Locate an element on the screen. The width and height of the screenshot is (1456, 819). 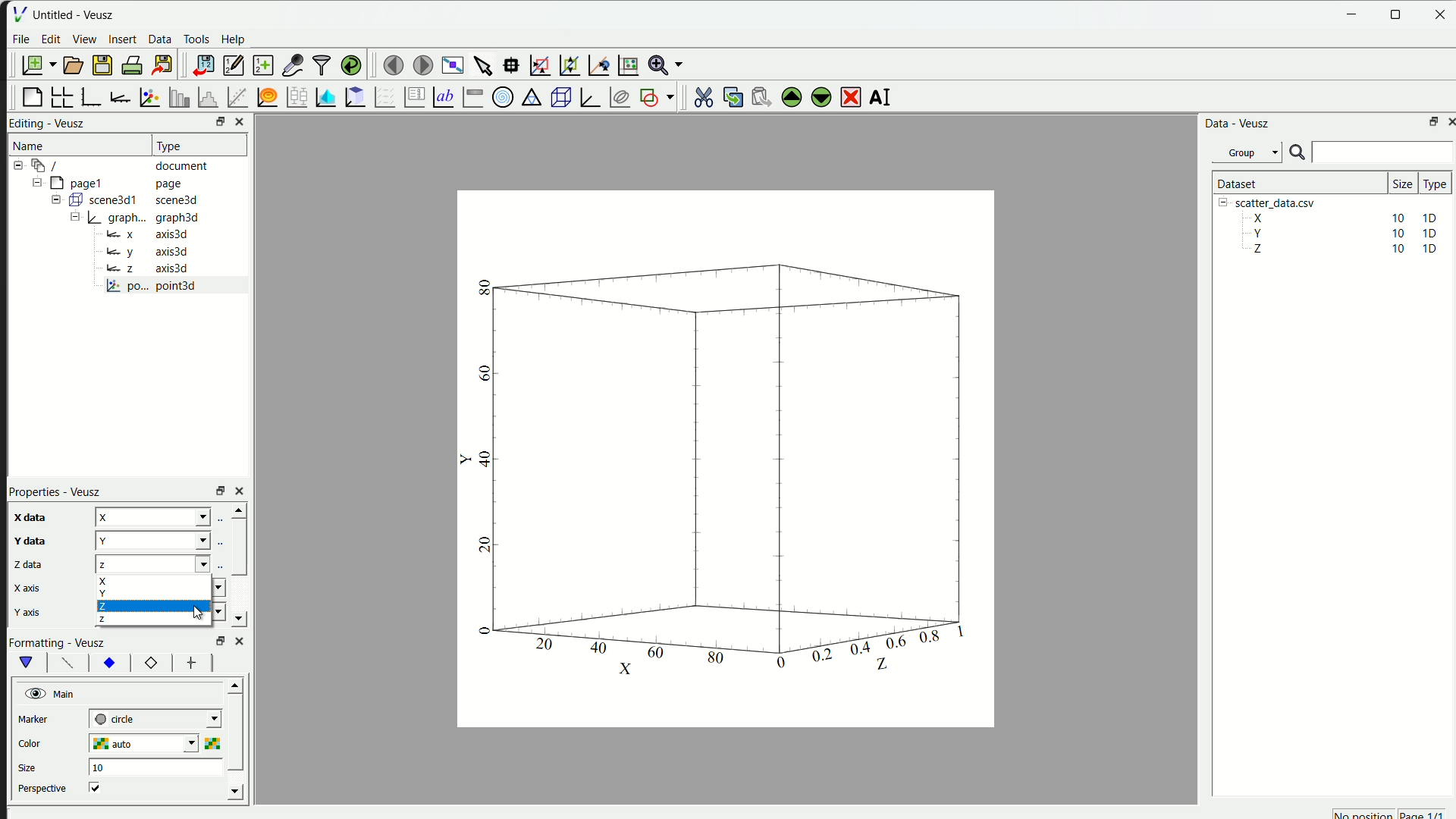
z is located at coordinates (170, 515).